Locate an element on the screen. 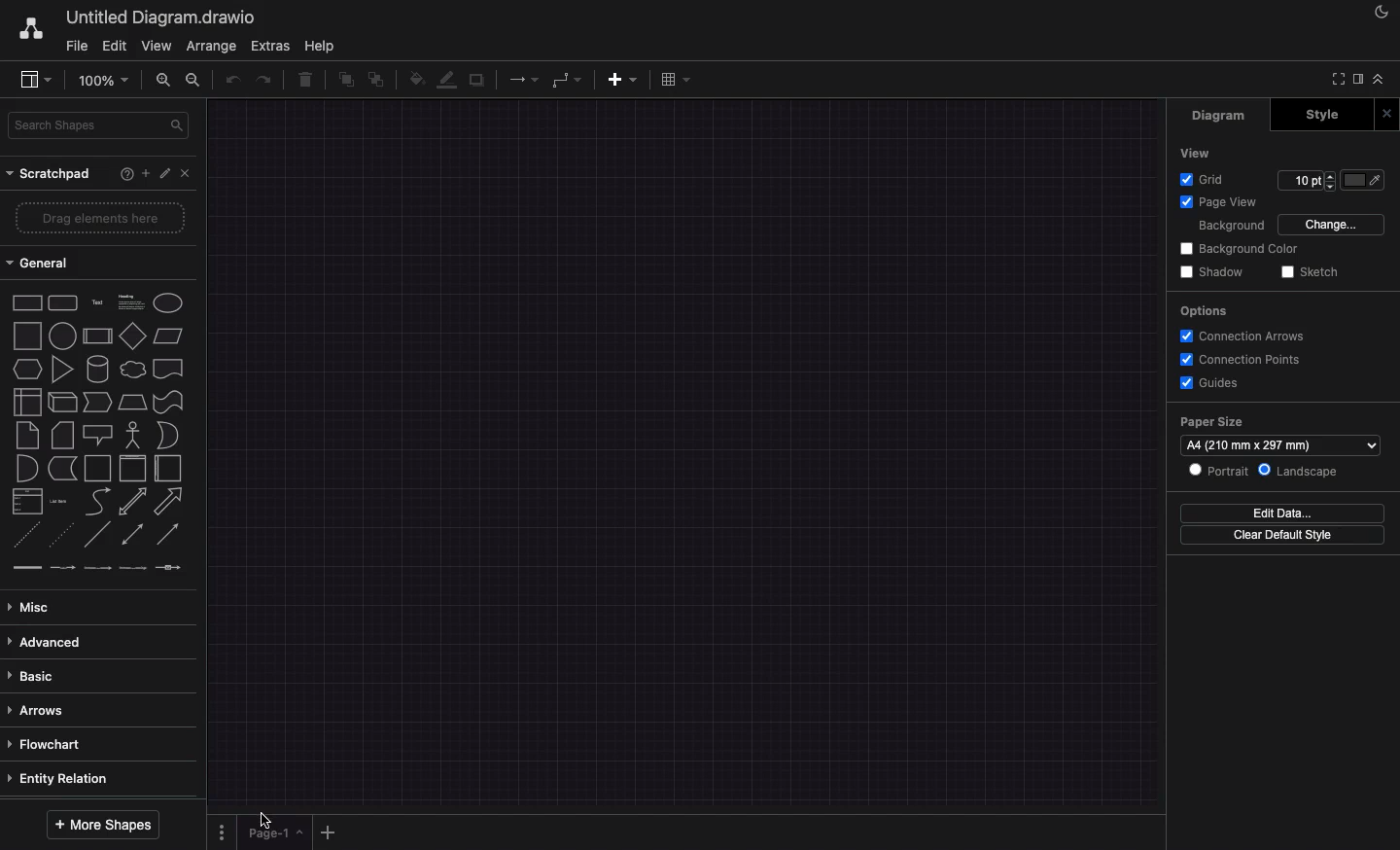  help is located at coordinates (126, 174).